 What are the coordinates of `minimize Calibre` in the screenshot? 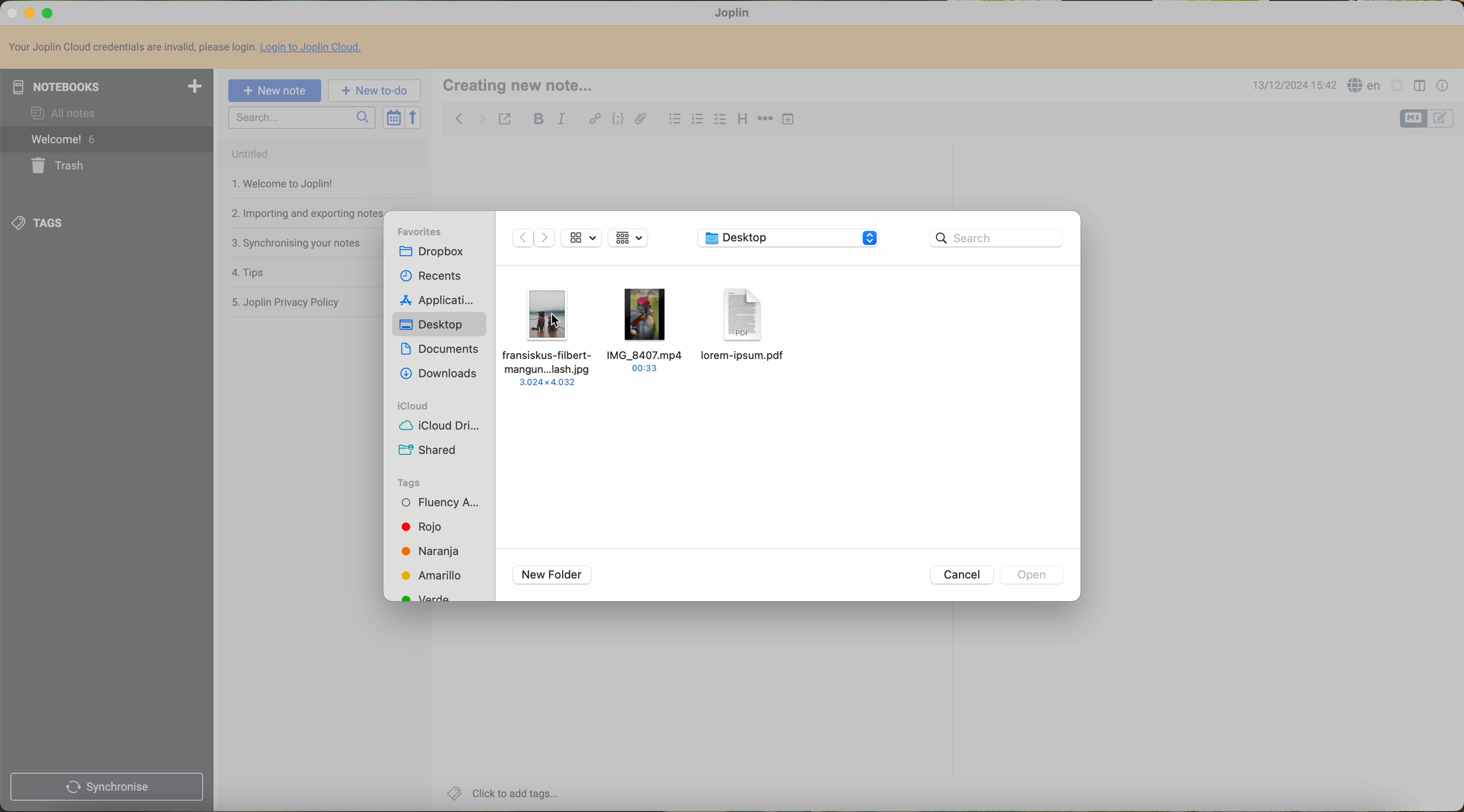 It's located at (30, 14).